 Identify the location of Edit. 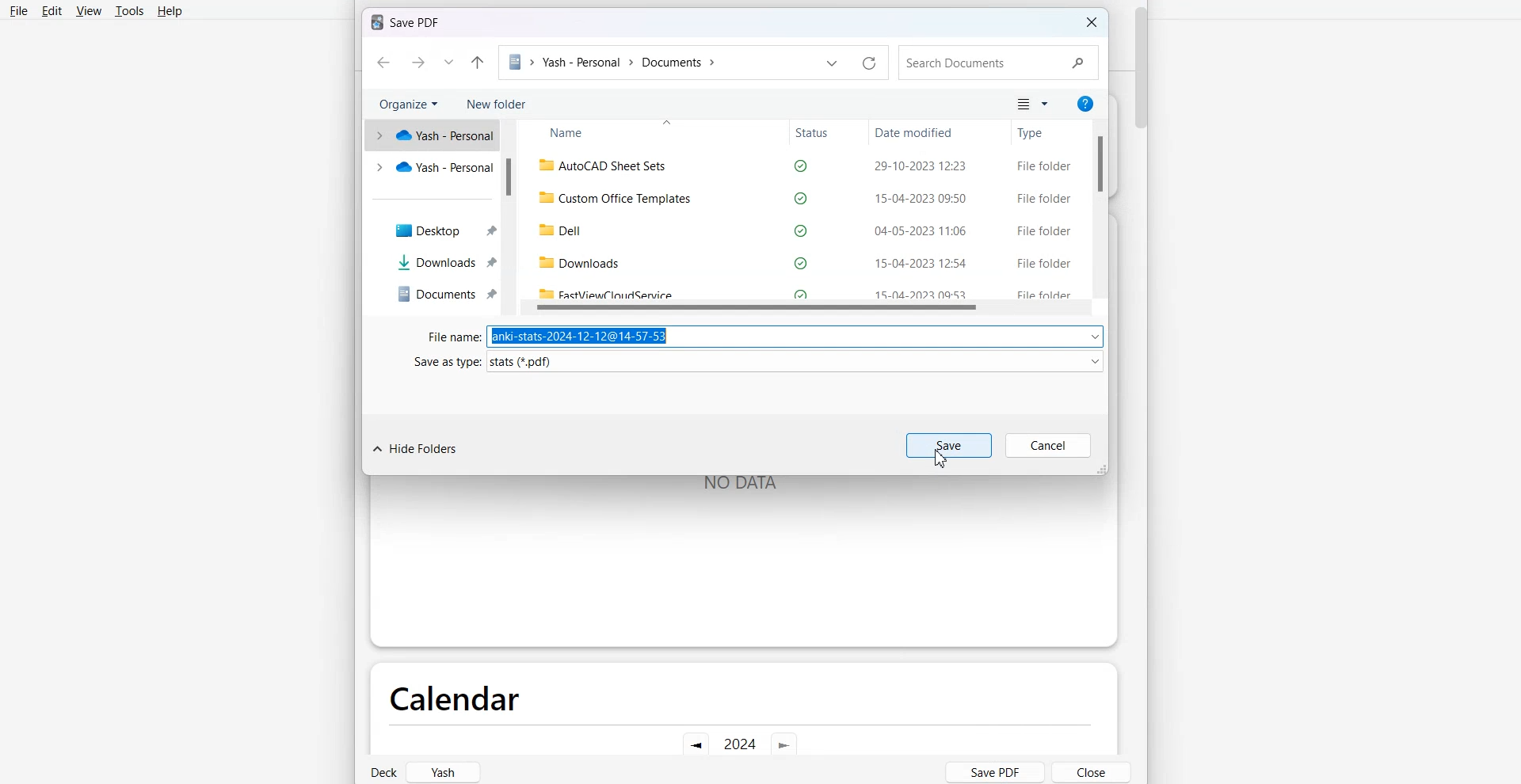
(51, 11).